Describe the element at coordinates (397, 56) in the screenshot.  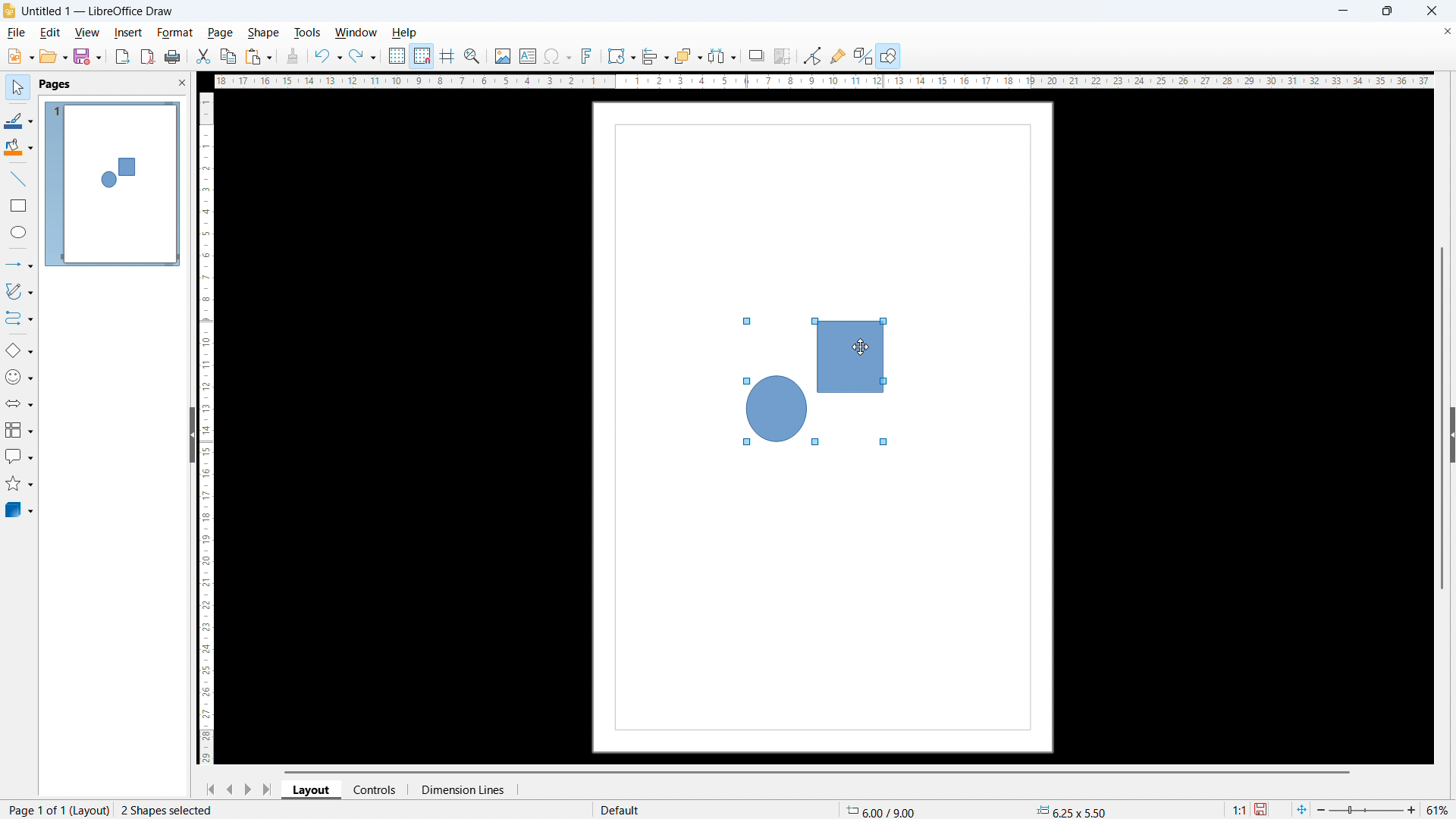
I see `show grid` at that location.